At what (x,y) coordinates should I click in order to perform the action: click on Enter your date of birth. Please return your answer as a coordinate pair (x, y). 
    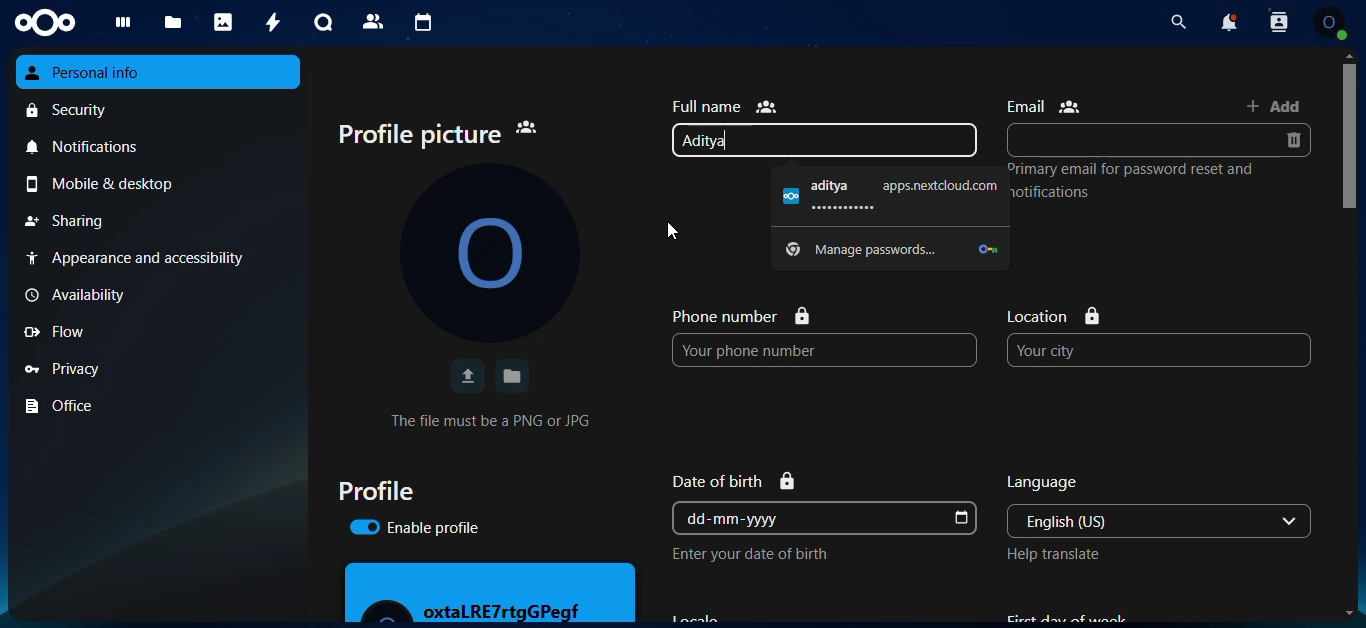
    Looking at the image, I should click on (749, 554).